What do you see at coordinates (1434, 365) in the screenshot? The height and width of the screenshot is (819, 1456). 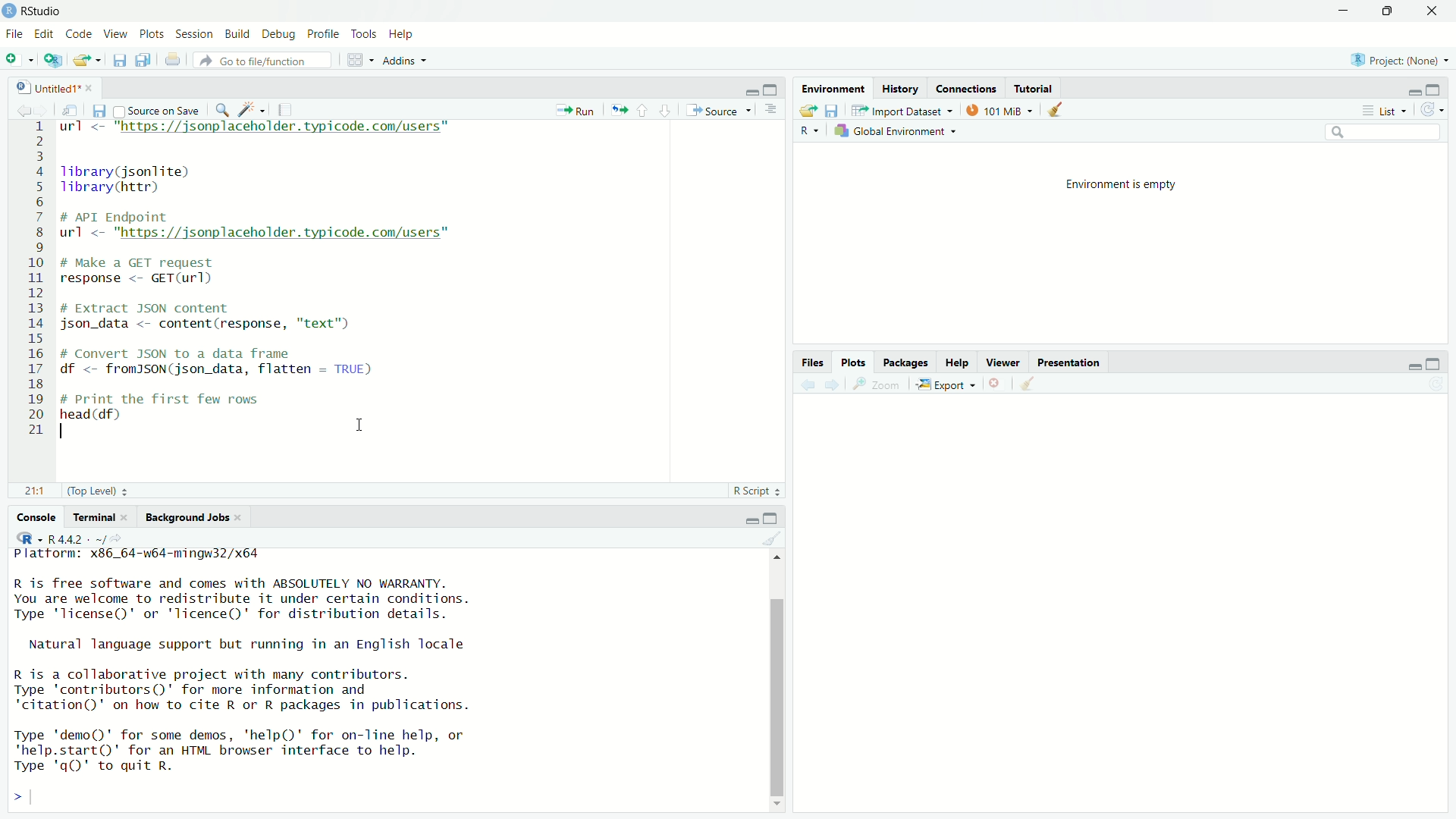 I see `Maximize` at bounding box center [1434, 365].